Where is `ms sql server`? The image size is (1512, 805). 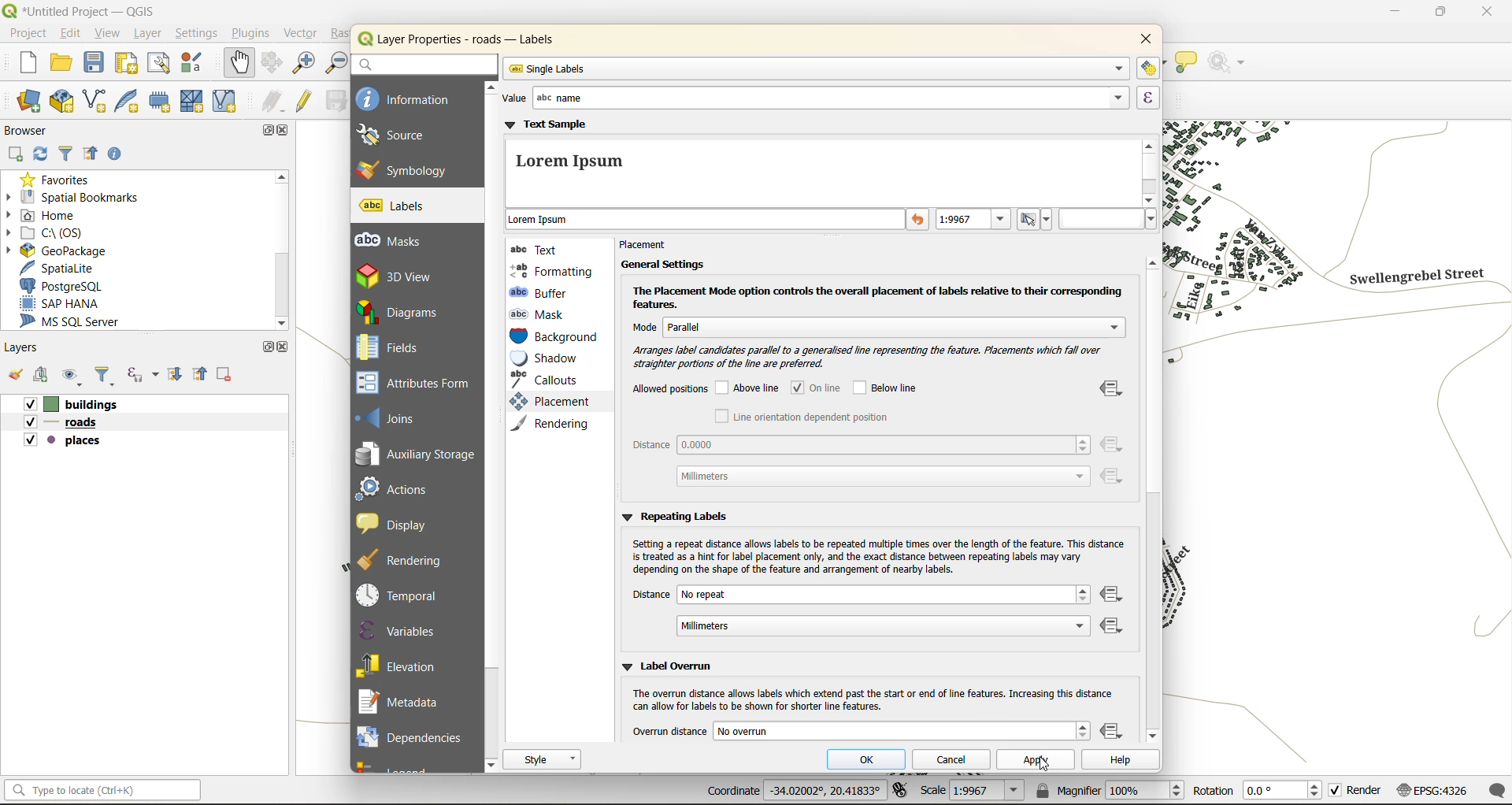 ms sql server is located at coordinates (73, 322).